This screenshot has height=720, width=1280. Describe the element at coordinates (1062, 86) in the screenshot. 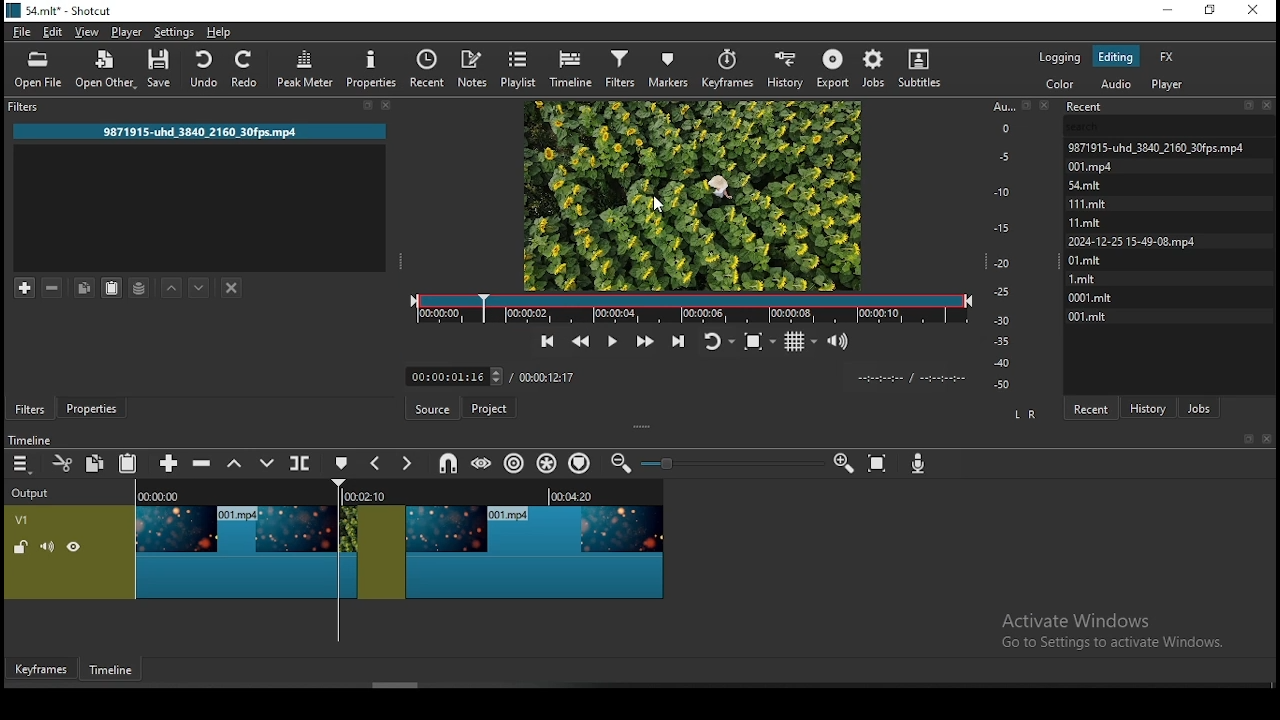

I see `color` at that location.